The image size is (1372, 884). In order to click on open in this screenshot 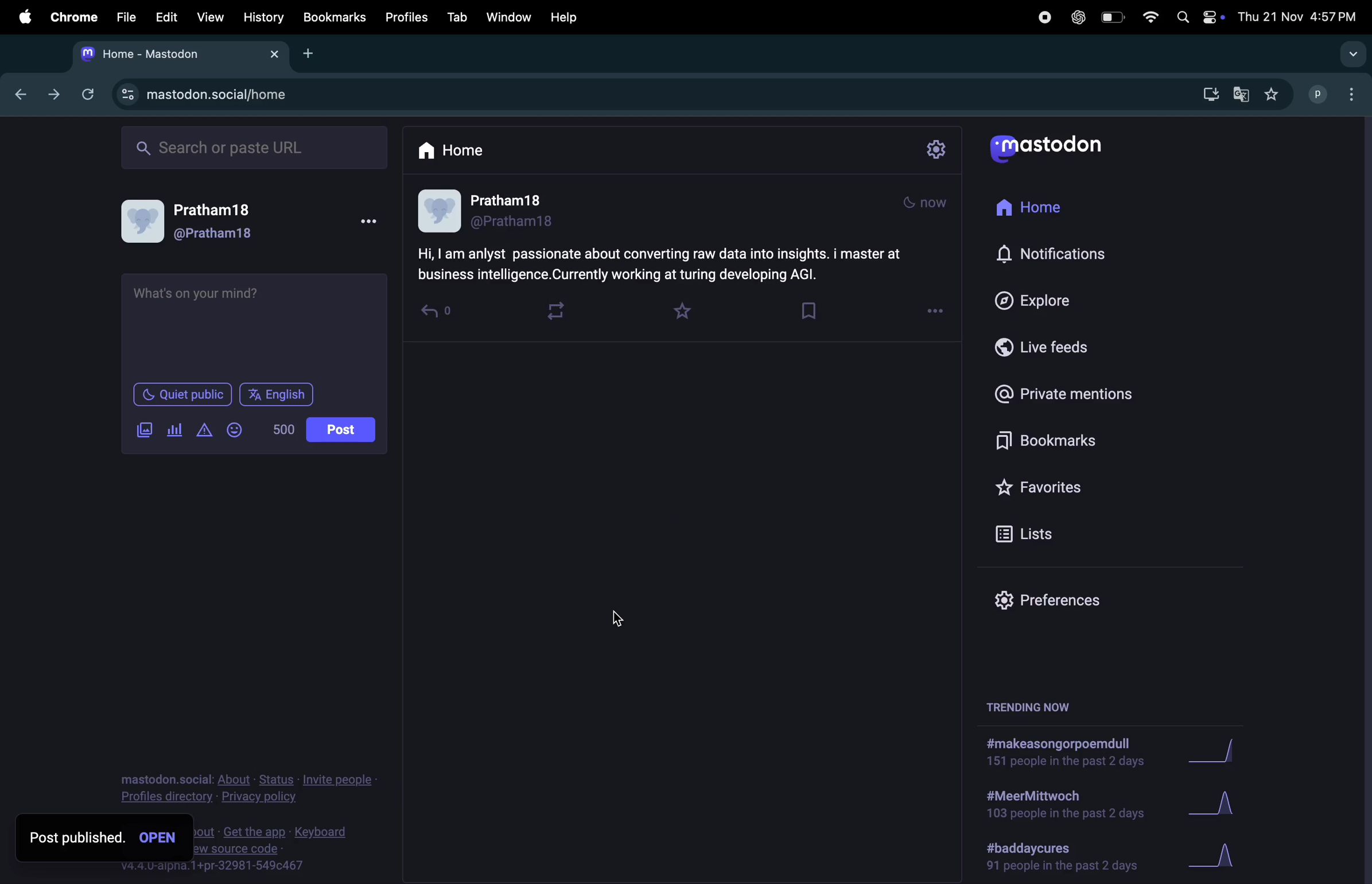, I will do `click(162, 839)`.